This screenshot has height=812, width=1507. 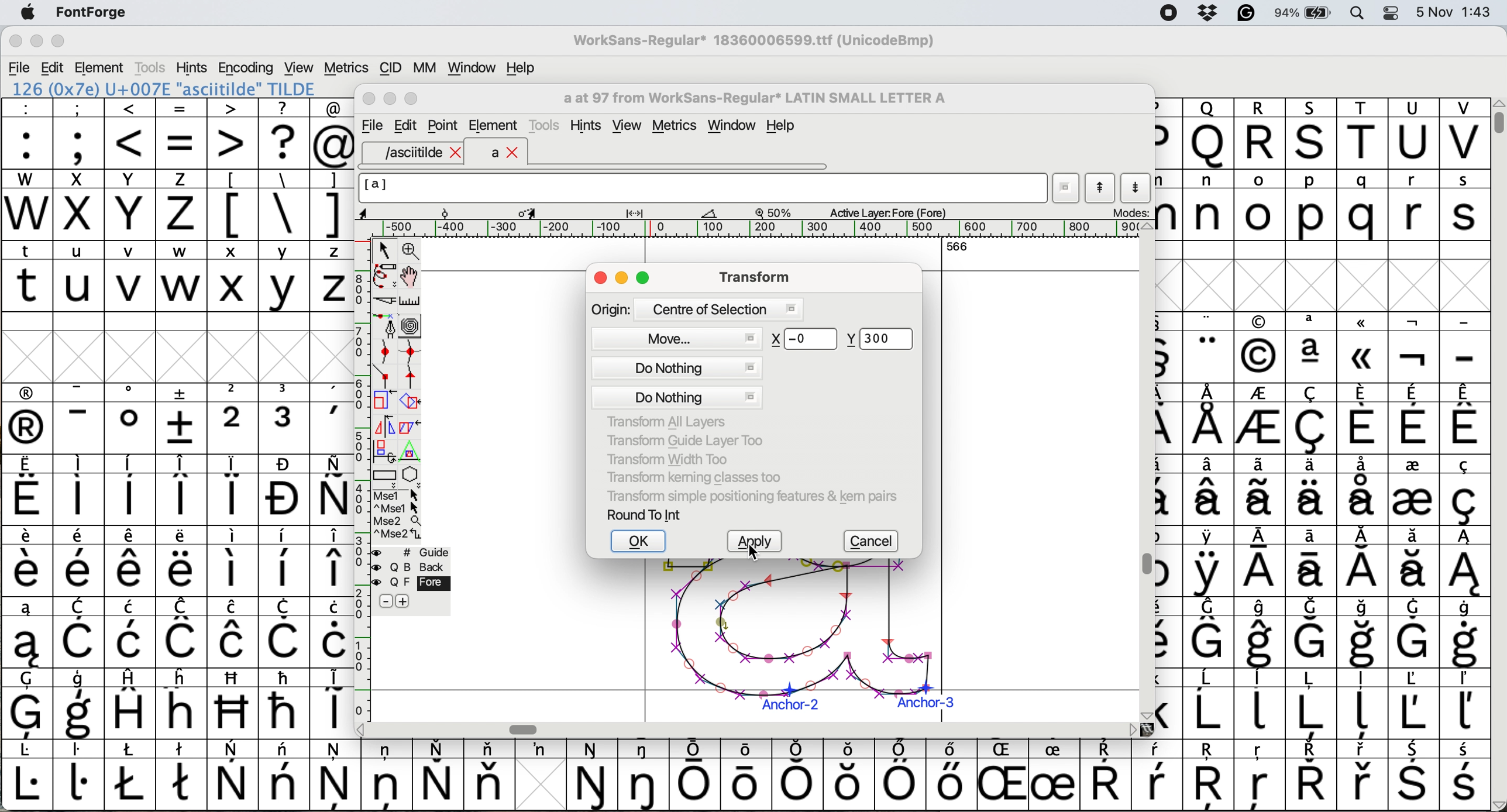 I want to click on Point, so click(x=444, y=127).